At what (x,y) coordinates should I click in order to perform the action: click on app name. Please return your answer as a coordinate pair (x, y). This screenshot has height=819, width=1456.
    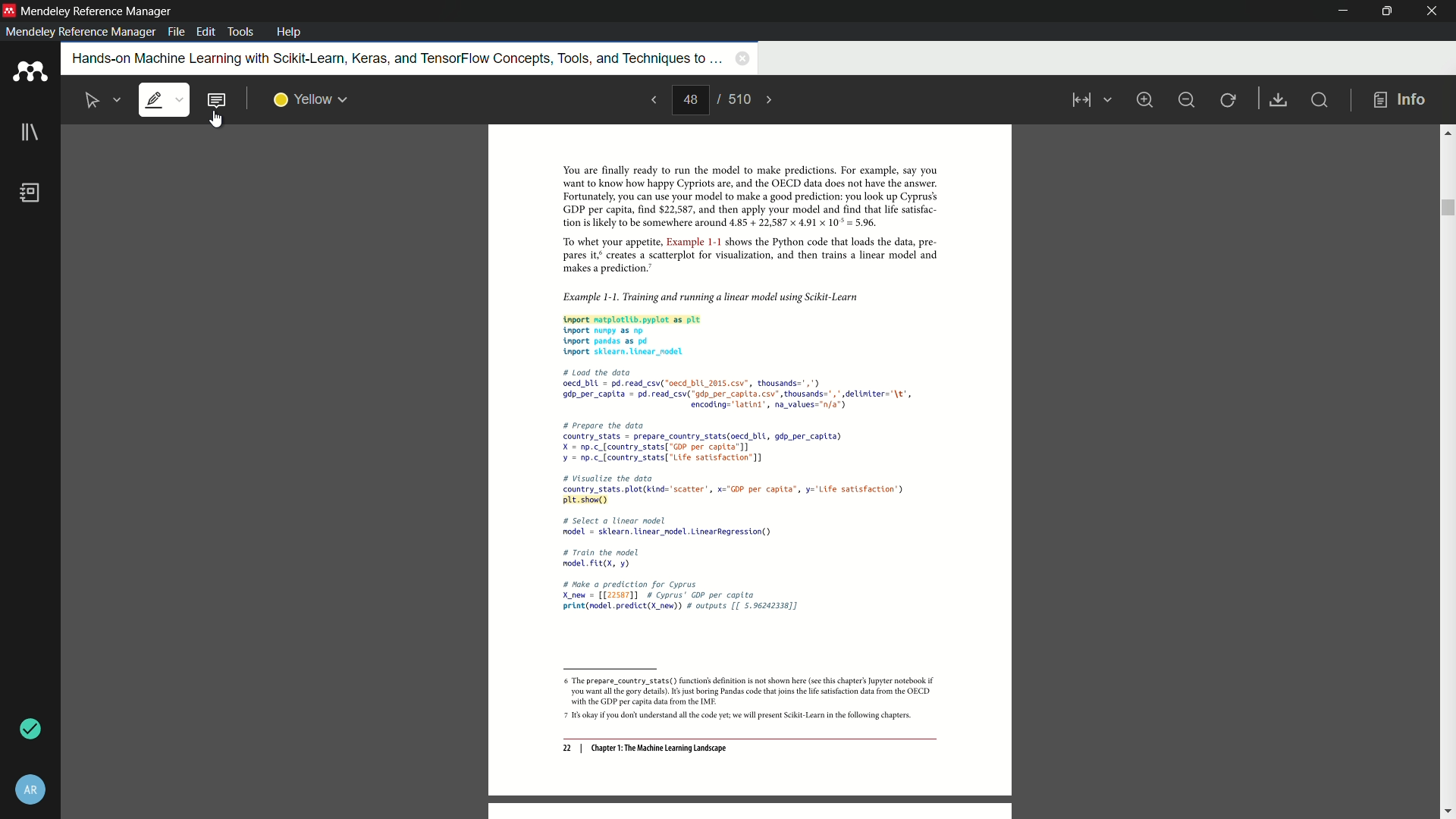
    Looking at the image, I should click on (99, 11).